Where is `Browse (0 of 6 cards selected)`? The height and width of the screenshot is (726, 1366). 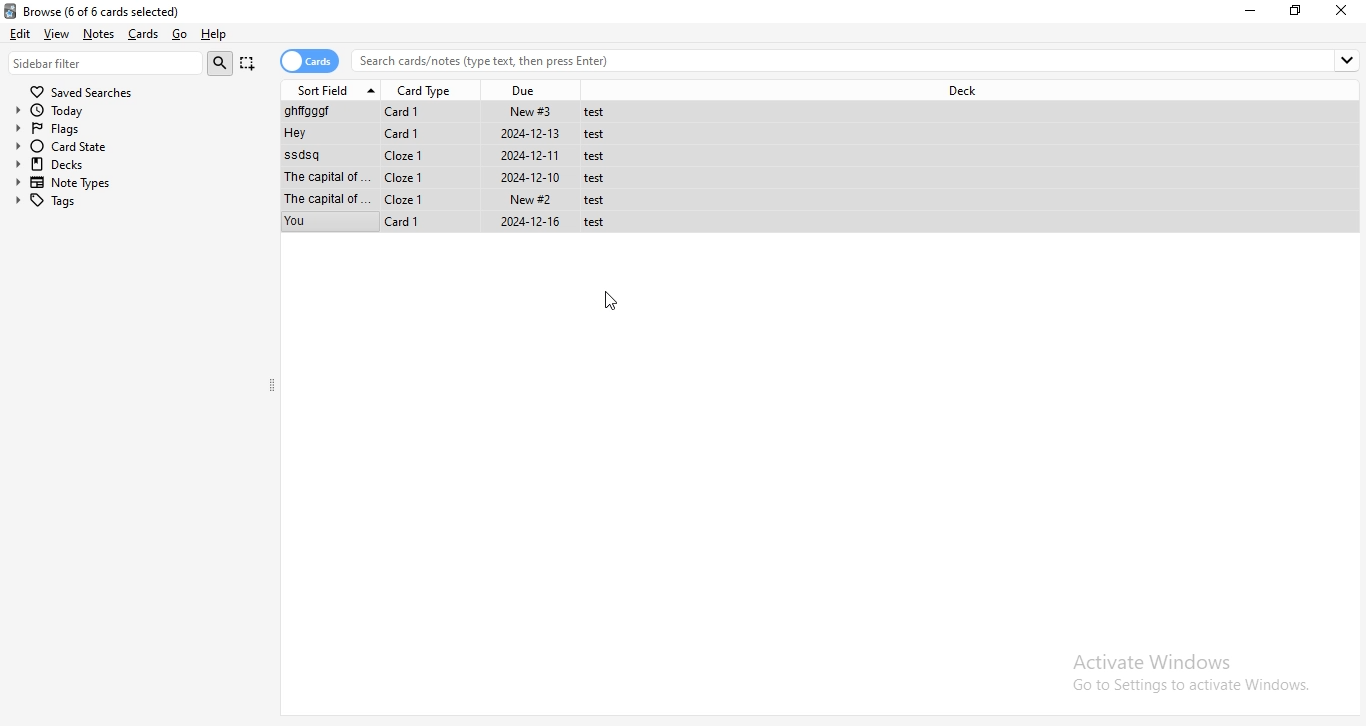
Browse (0 of 6 cards selected) is located at coordinates (111, 10).